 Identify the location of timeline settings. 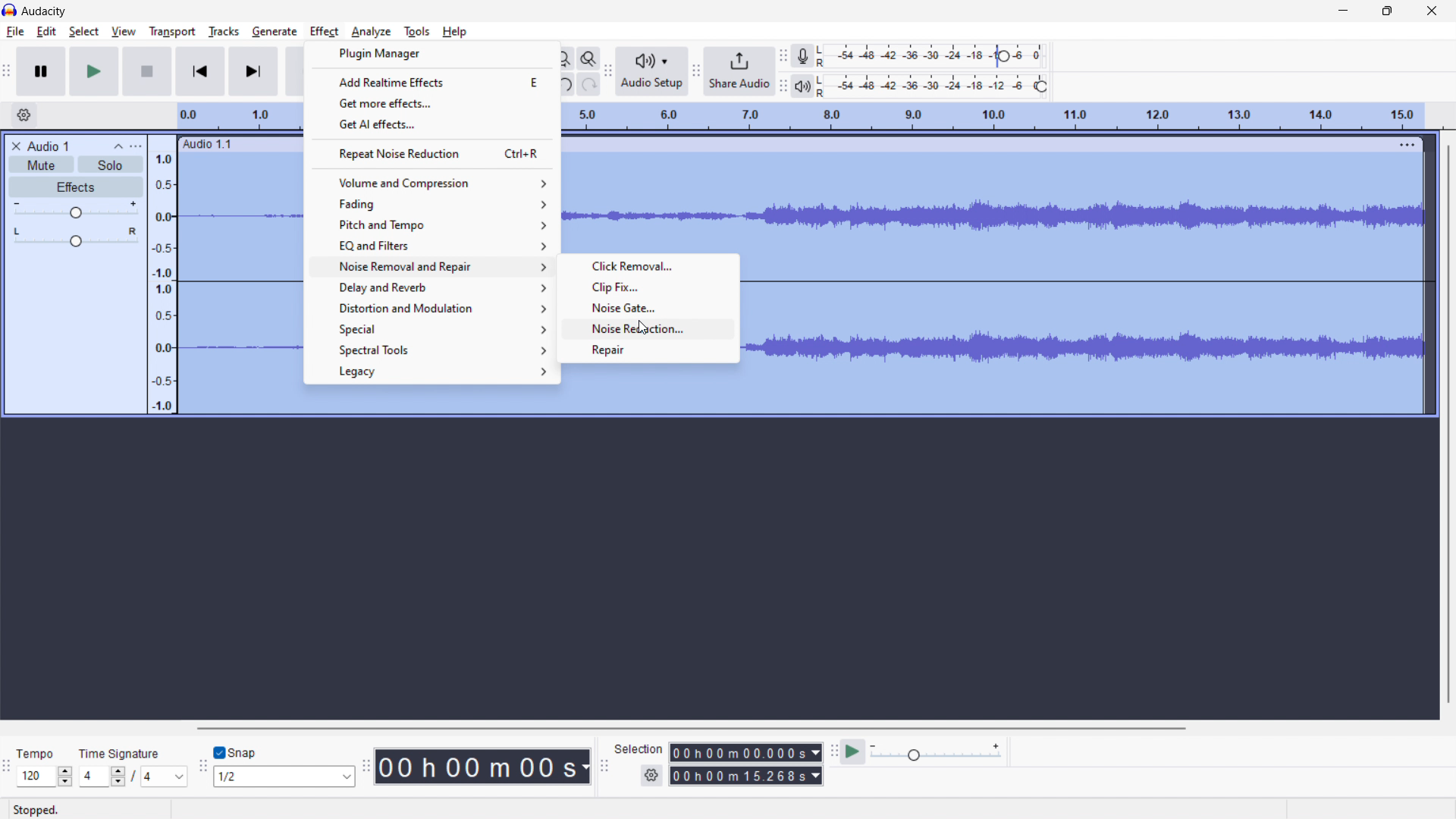
(24, 115).